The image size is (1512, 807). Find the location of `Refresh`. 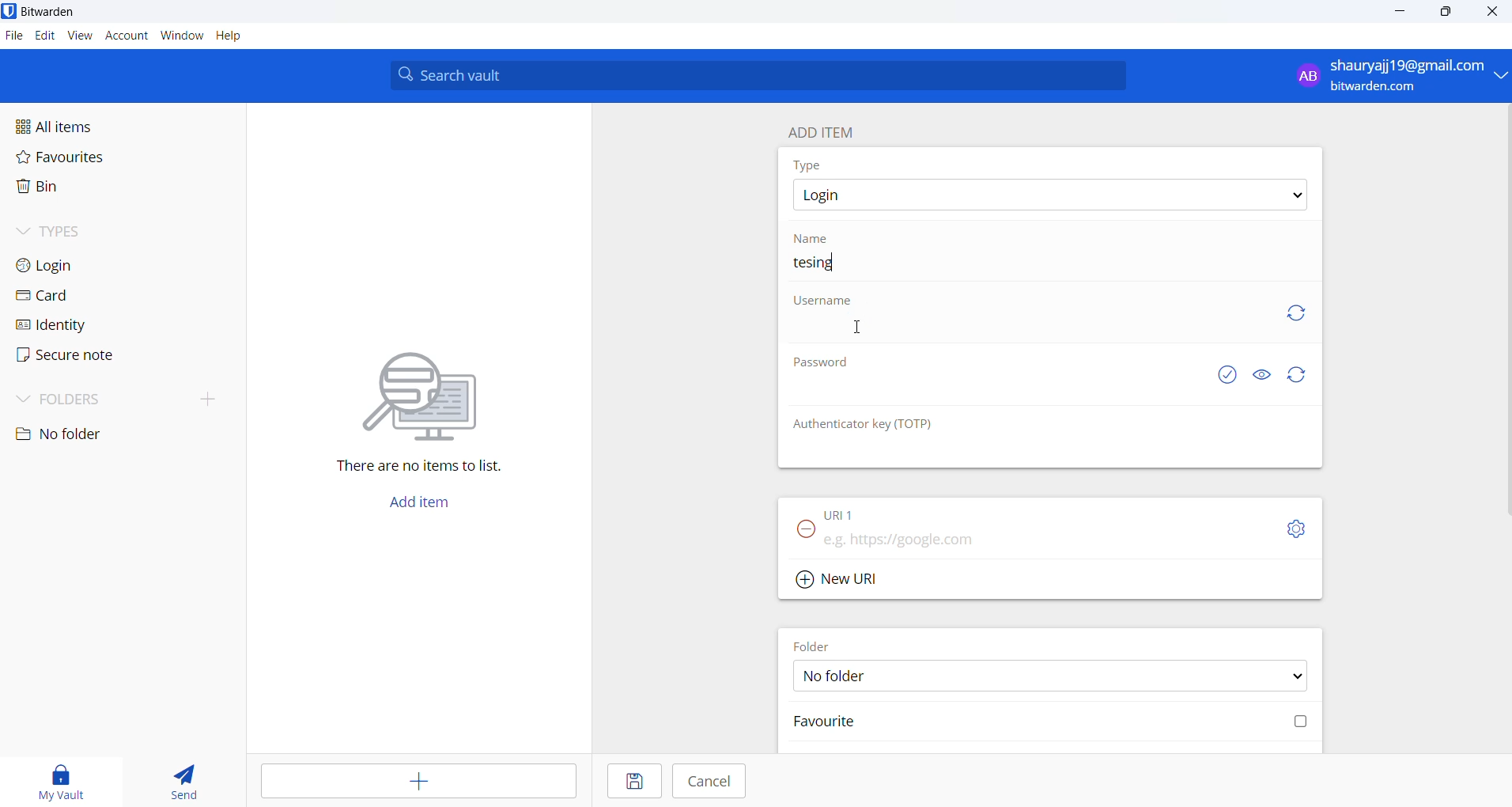

Refresh is located at coordinates (1305, 375).